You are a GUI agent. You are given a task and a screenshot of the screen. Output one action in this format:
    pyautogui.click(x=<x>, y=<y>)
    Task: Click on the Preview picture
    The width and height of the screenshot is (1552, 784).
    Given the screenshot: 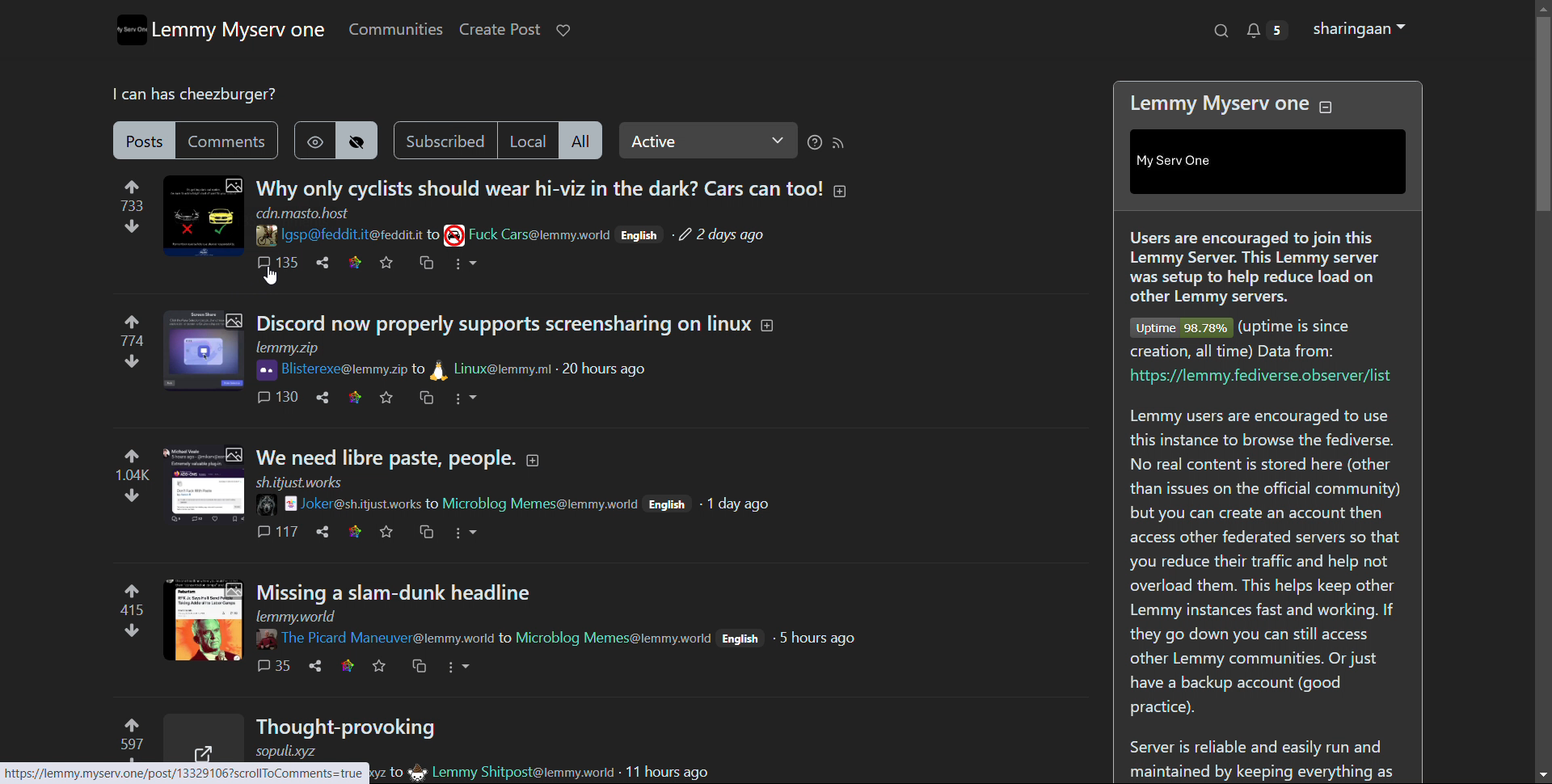 What is the action you would take?
    pyautogui.click(x=204, y=217)
    